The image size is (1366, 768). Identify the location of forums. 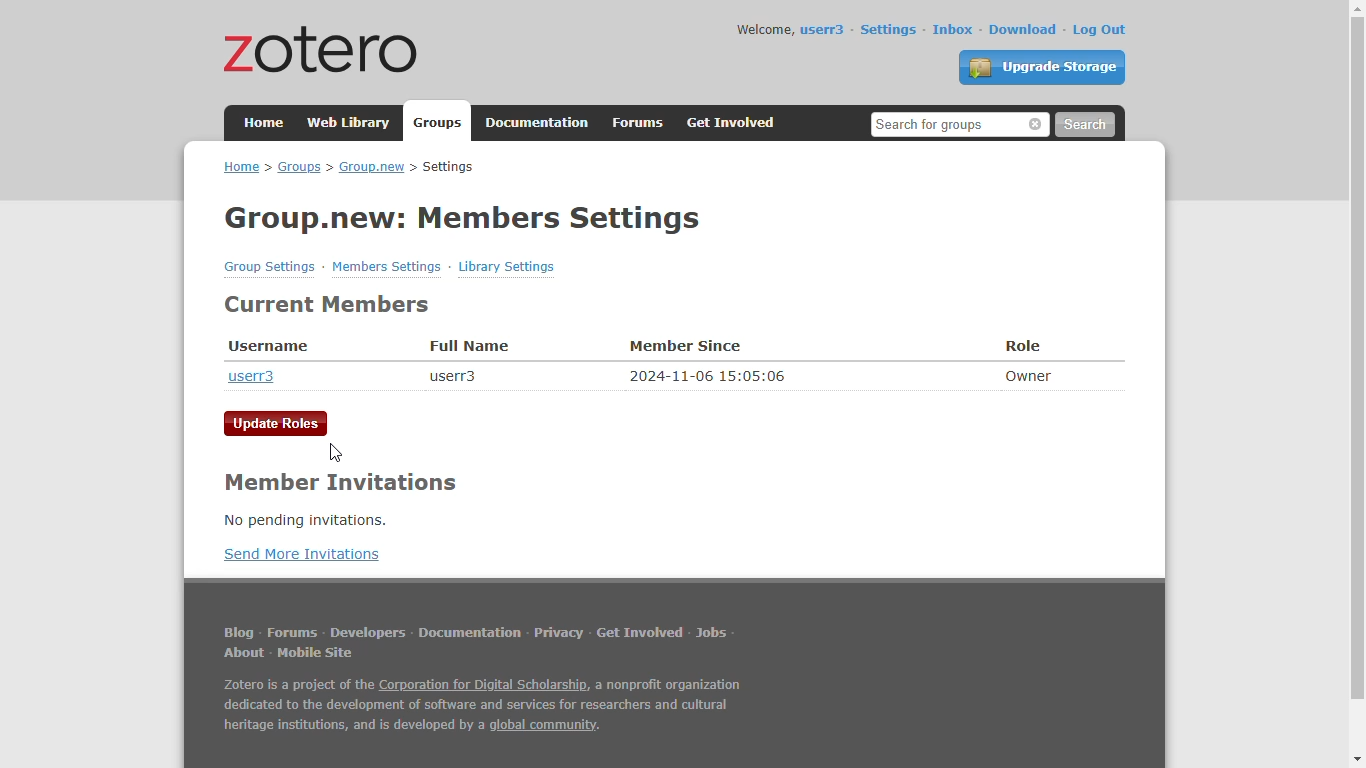
(292, 632).